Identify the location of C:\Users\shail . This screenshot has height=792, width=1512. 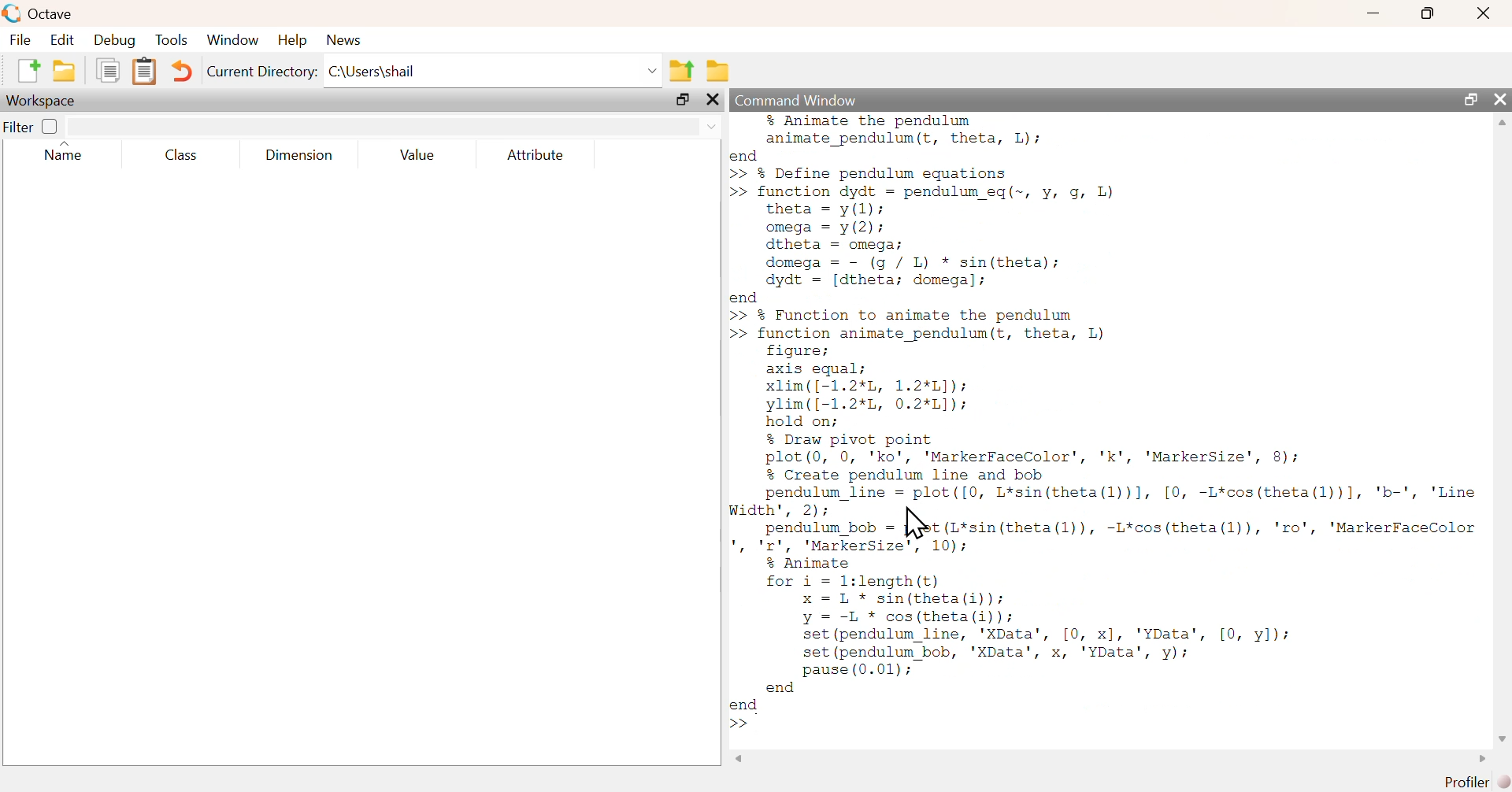
(494, 74).